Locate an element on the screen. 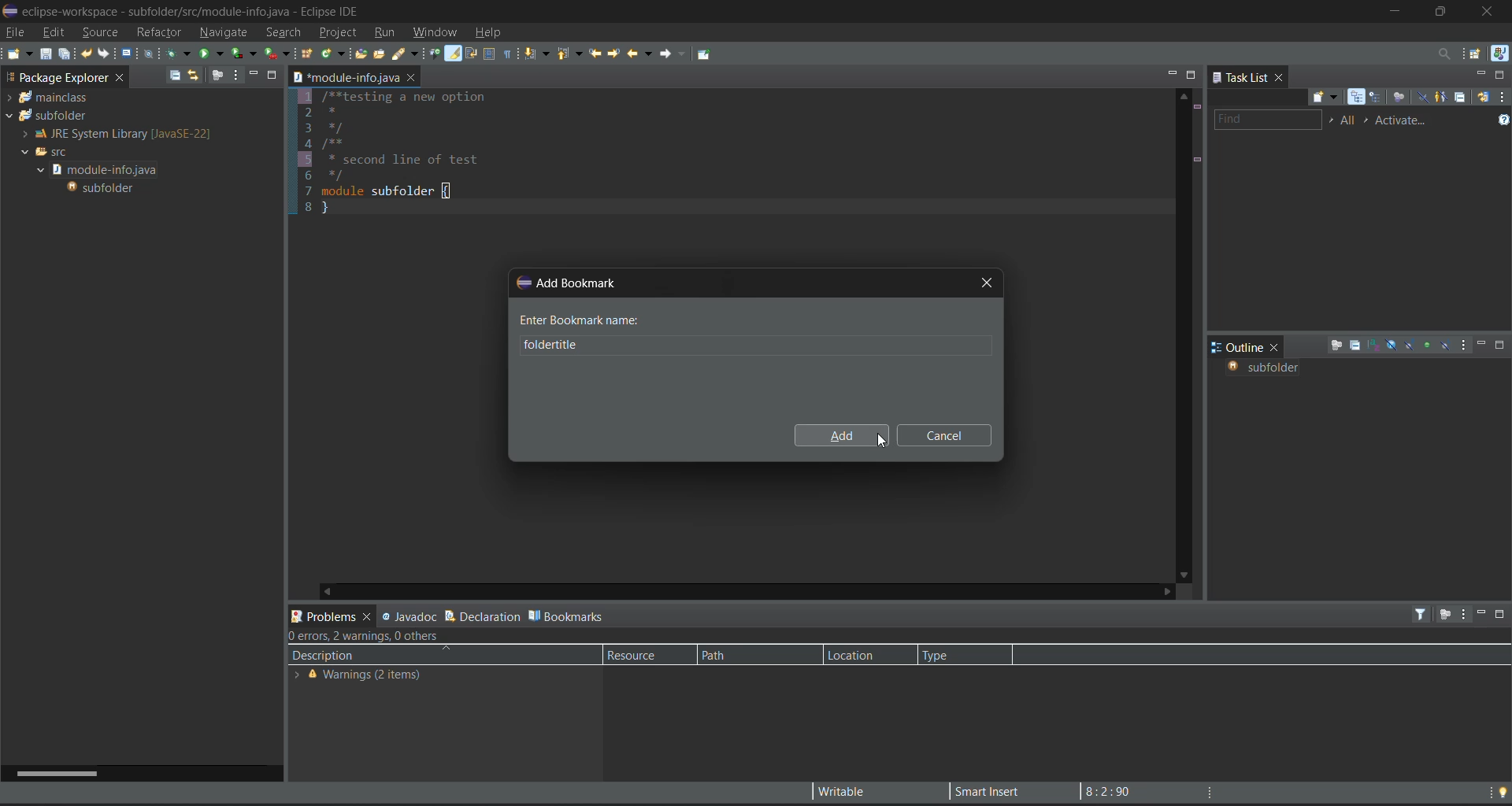  previous annotation is located at coordinates (573, 54).